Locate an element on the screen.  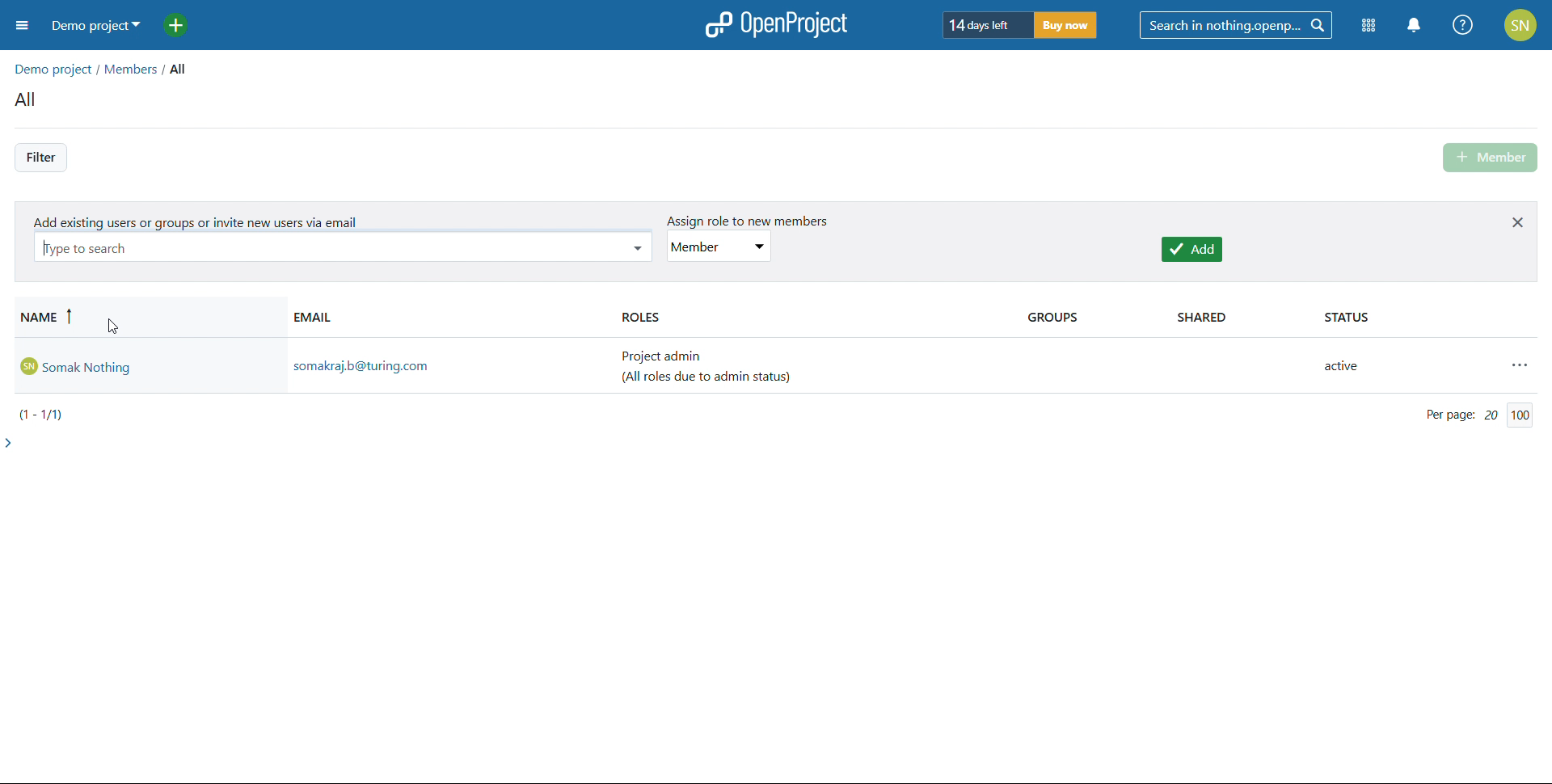
account is located at coordinates (1521, 24).